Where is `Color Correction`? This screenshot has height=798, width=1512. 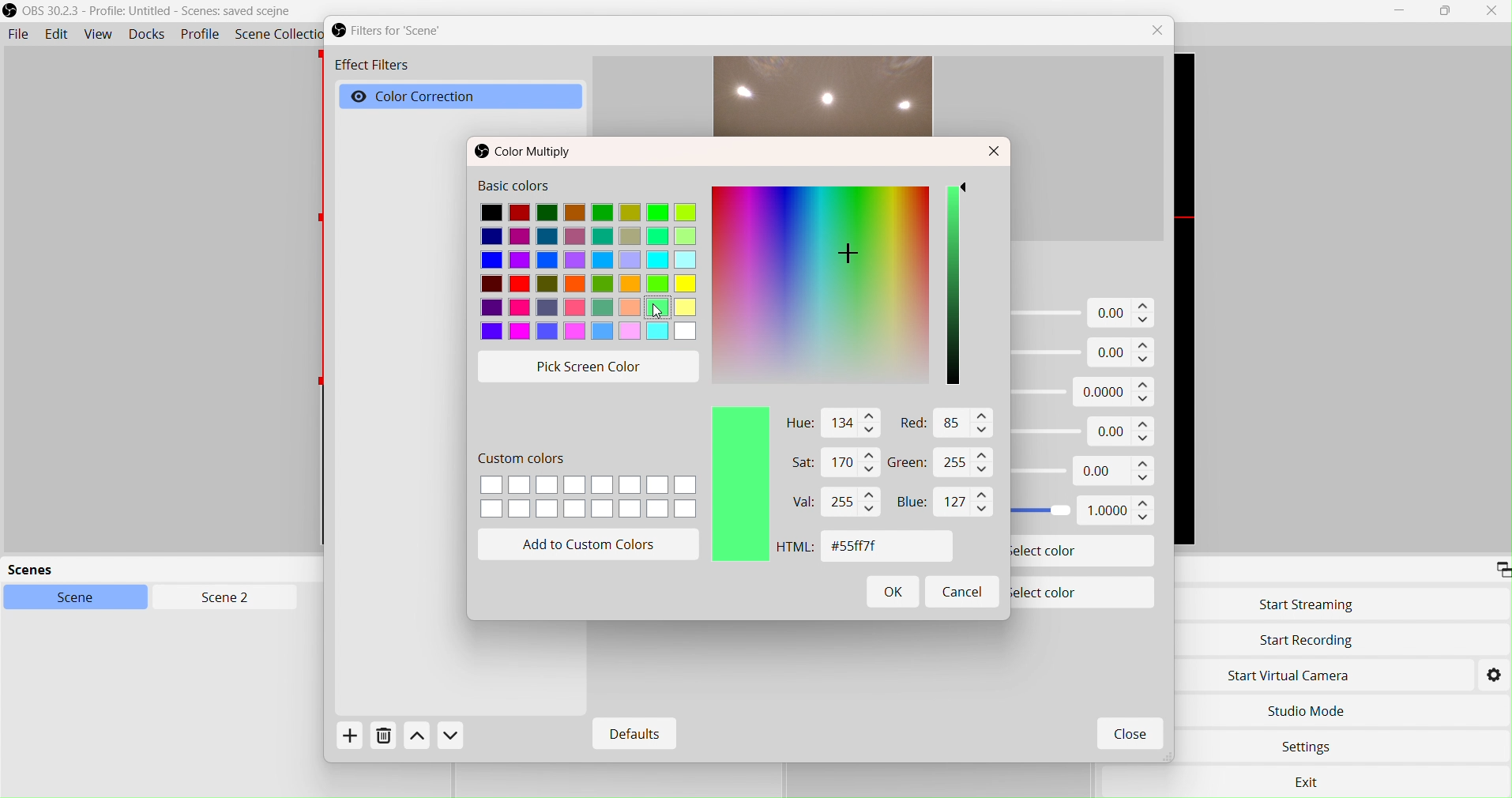
Color Correction is located at coordinates (434, 97).